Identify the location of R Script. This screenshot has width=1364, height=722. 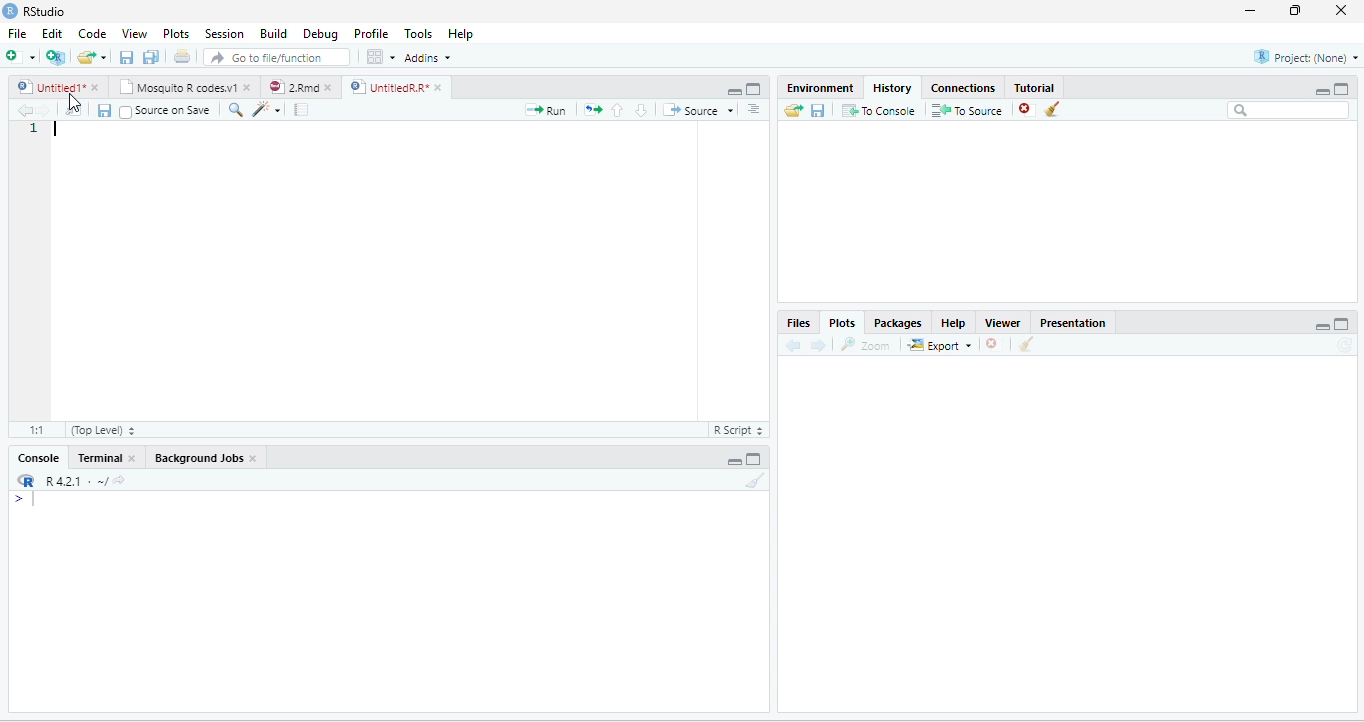
(740, 430).